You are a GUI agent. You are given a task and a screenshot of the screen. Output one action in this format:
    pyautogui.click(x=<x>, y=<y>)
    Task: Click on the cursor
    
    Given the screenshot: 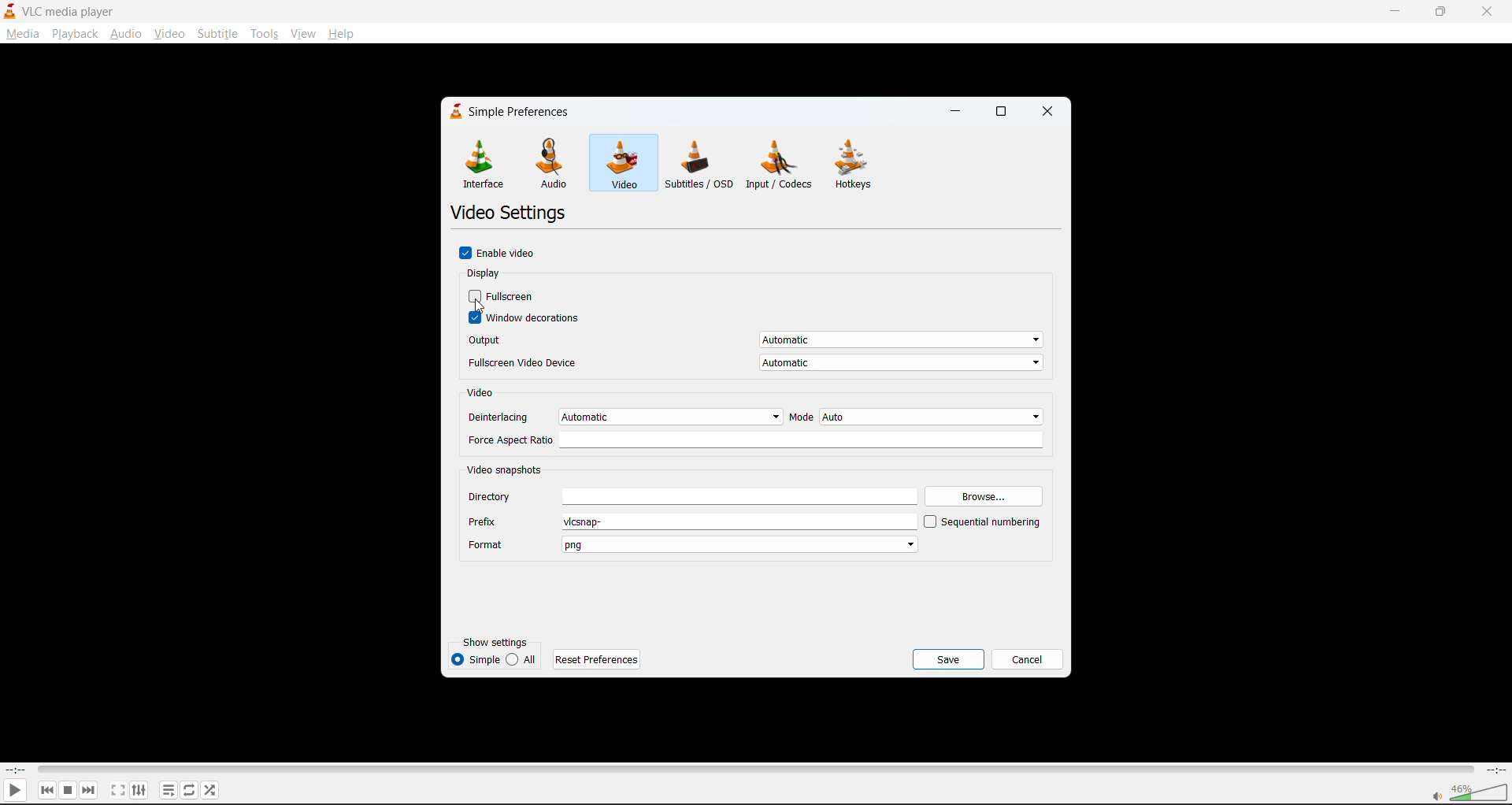 What is the action you would take?
    pyautogui.click(x=480, y=308)
    